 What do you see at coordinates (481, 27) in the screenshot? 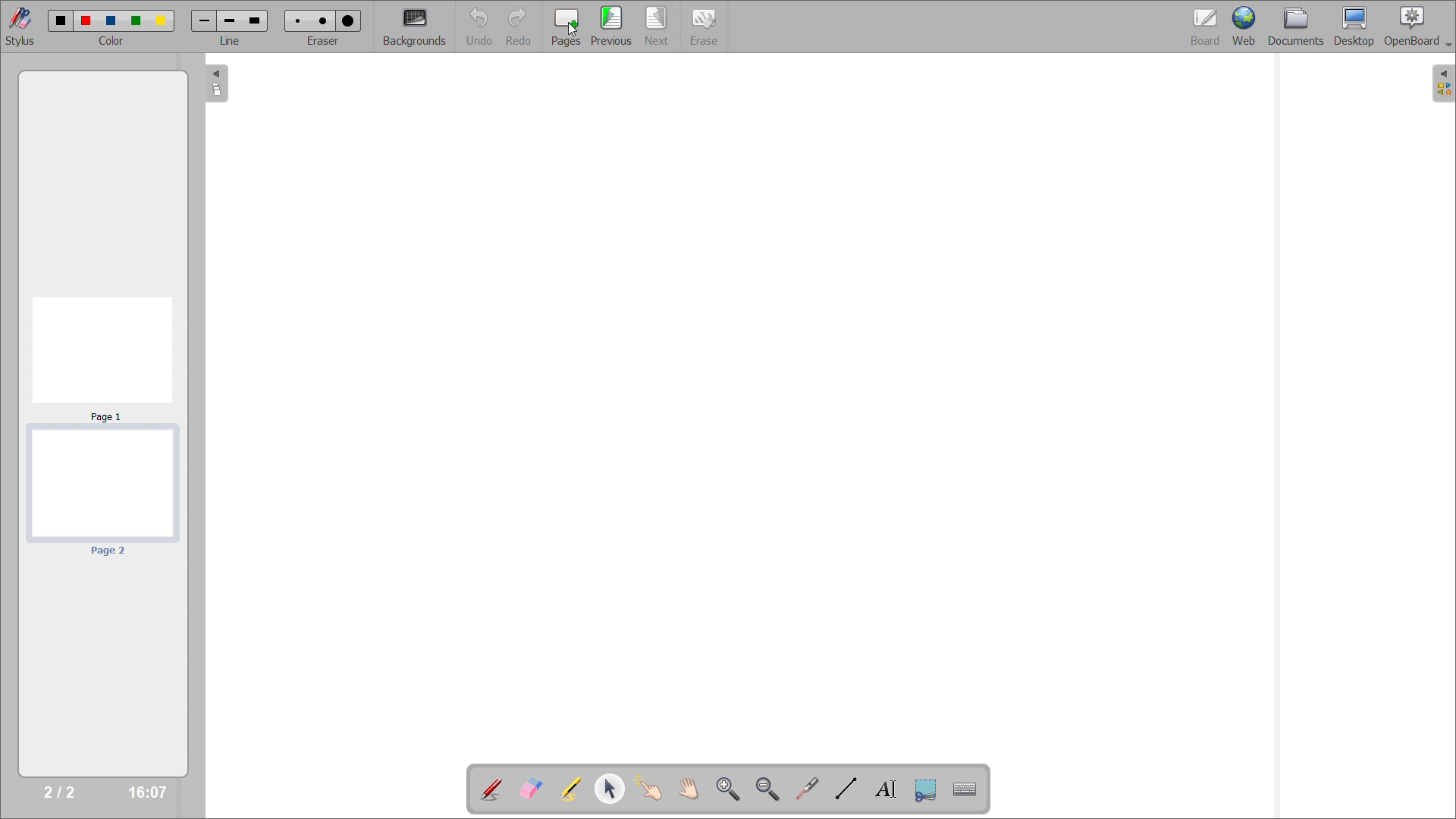
I see `undo` at bounding box center [481, 27].